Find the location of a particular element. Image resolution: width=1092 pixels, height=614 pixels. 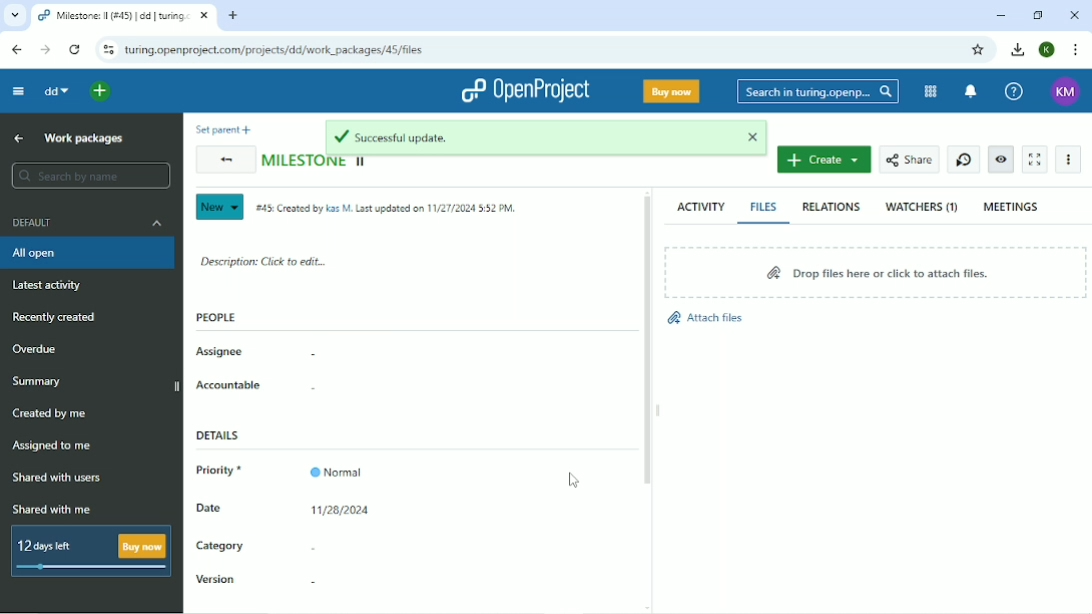

Bookmark this tab is located at coordinates (977, 50).